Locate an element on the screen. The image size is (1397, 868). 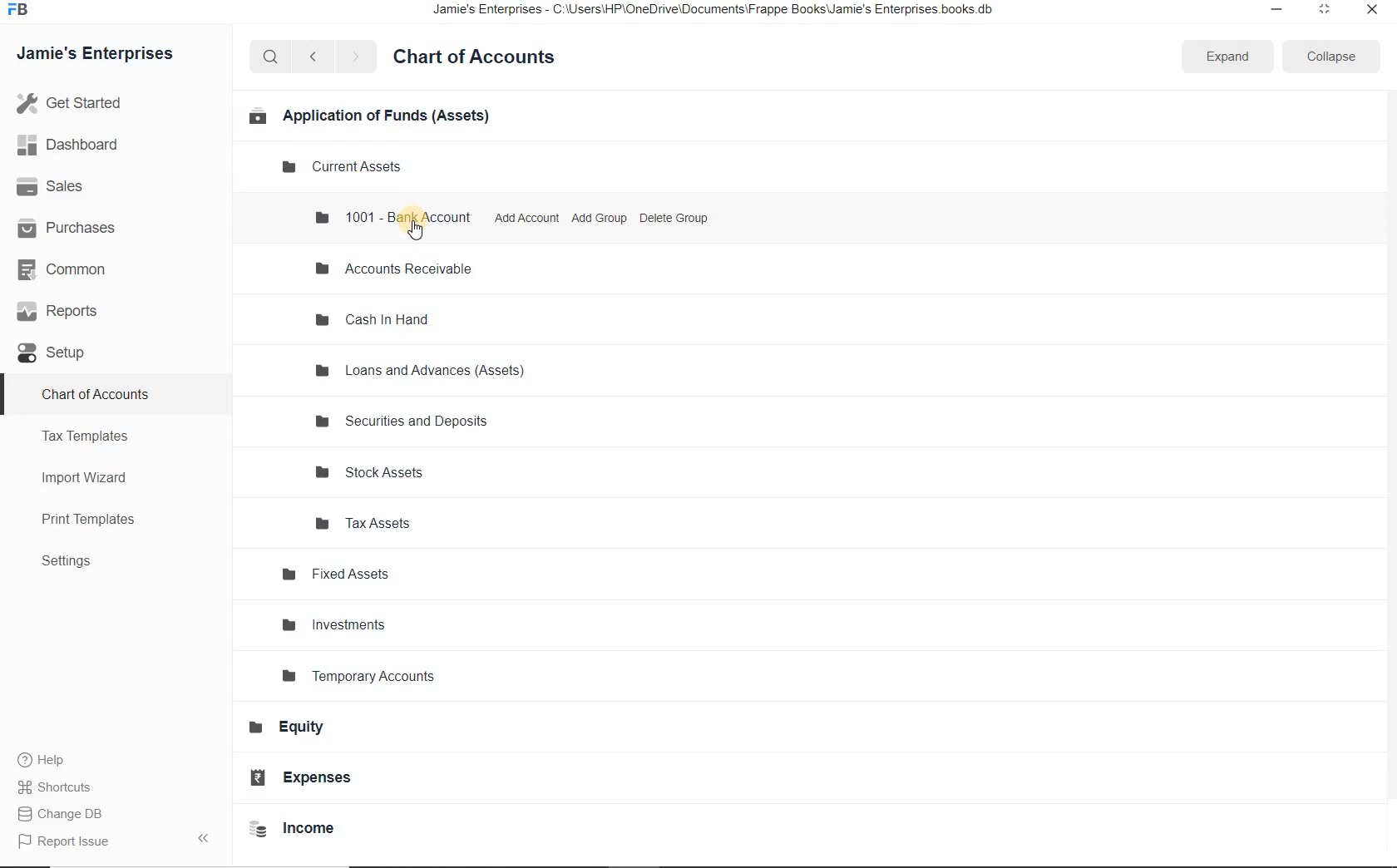
expand is located at coordinates (207, 837).